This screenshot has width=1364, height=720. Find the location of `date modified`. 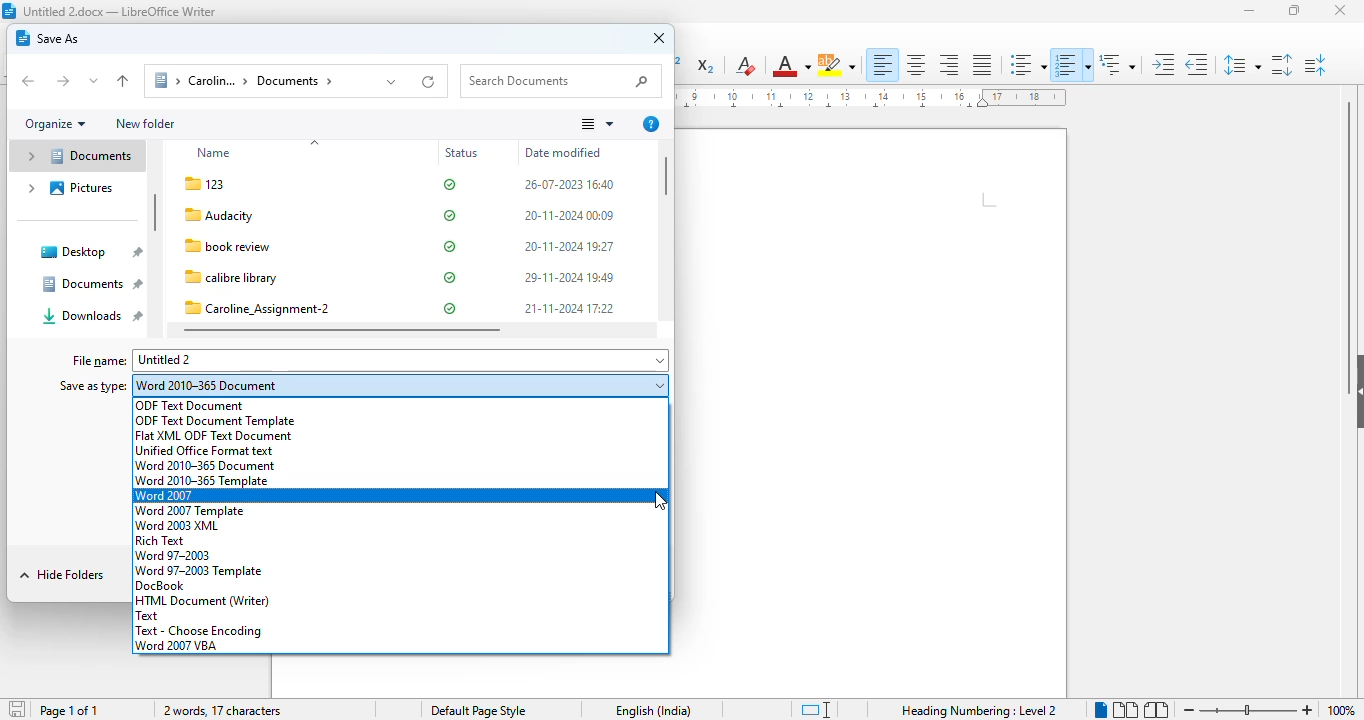

date modified is located at coordinates (563, 152).